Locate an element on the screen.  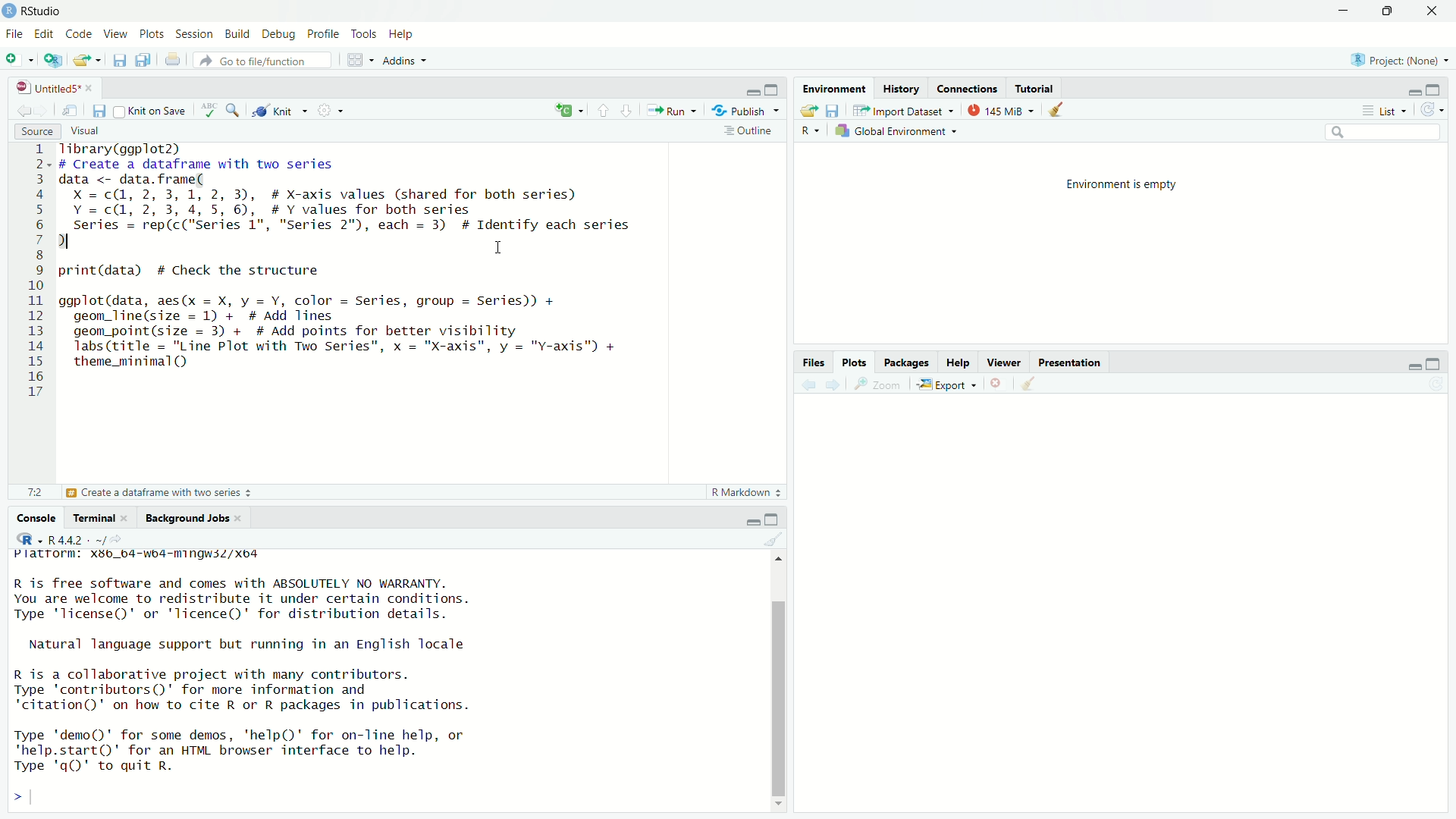
save all documents is located at coordinates (142, 60).